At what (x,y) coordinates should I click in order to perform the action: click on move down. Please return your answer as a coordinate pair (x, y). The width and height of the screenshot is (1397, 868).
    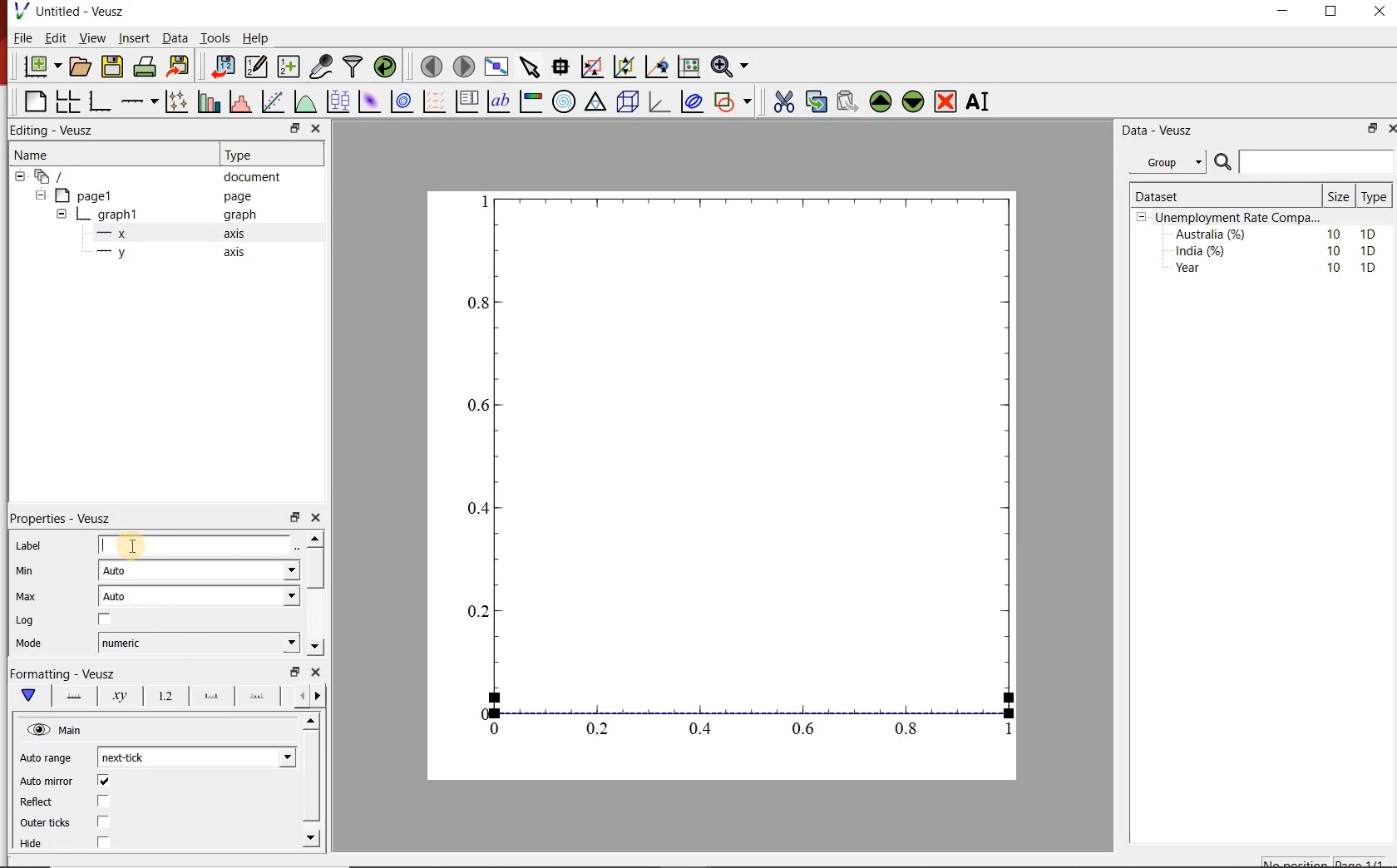
    Looking at the image, I should click on (314, 646).